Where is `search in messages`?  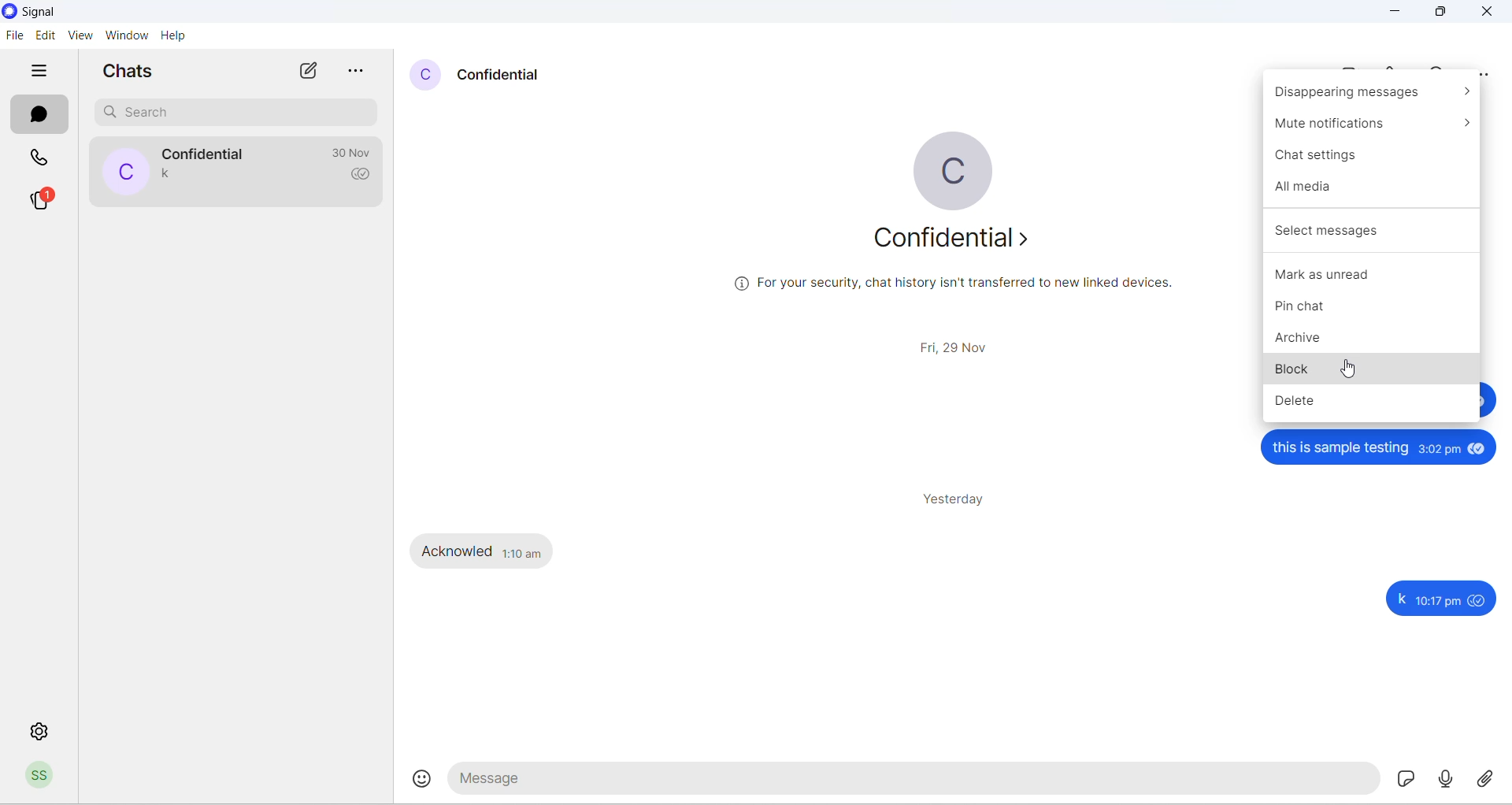 search in messages is located at coordinates (1444, 68).